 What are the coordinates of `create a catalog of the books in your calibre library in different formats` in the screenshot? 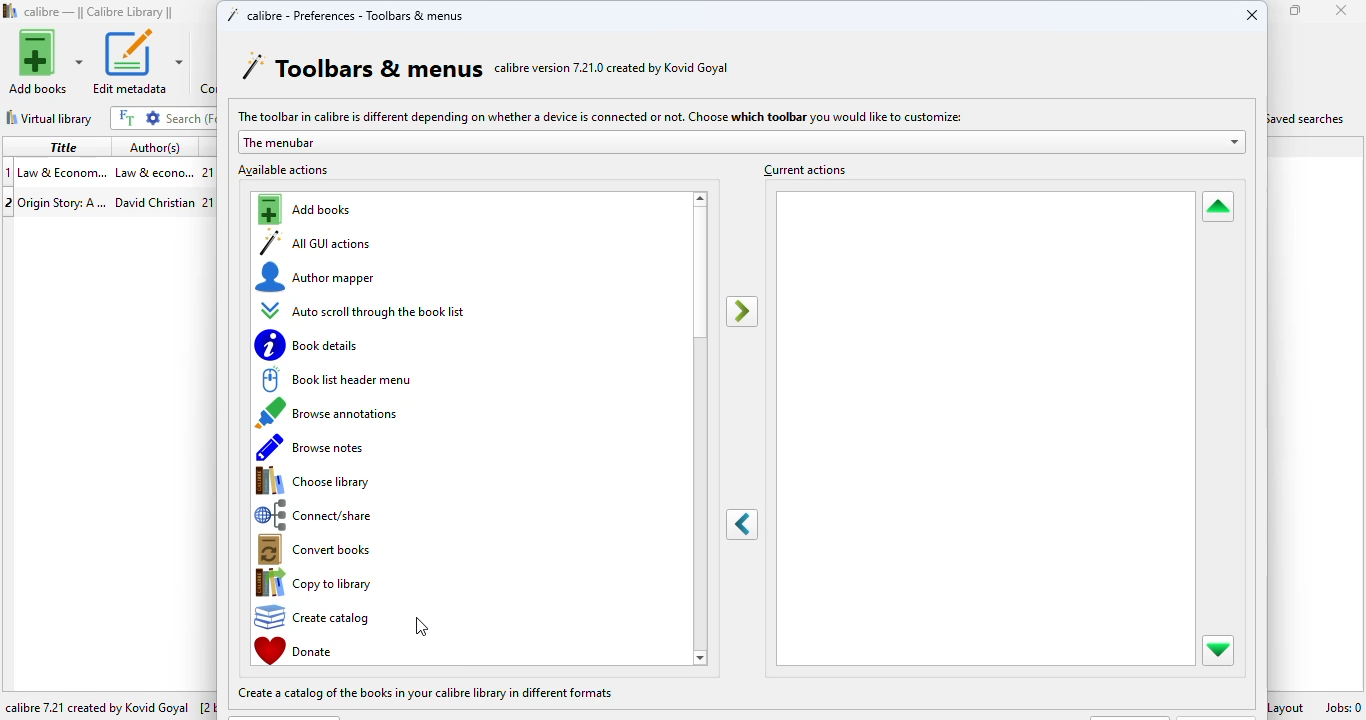 It's located at (427, 693).